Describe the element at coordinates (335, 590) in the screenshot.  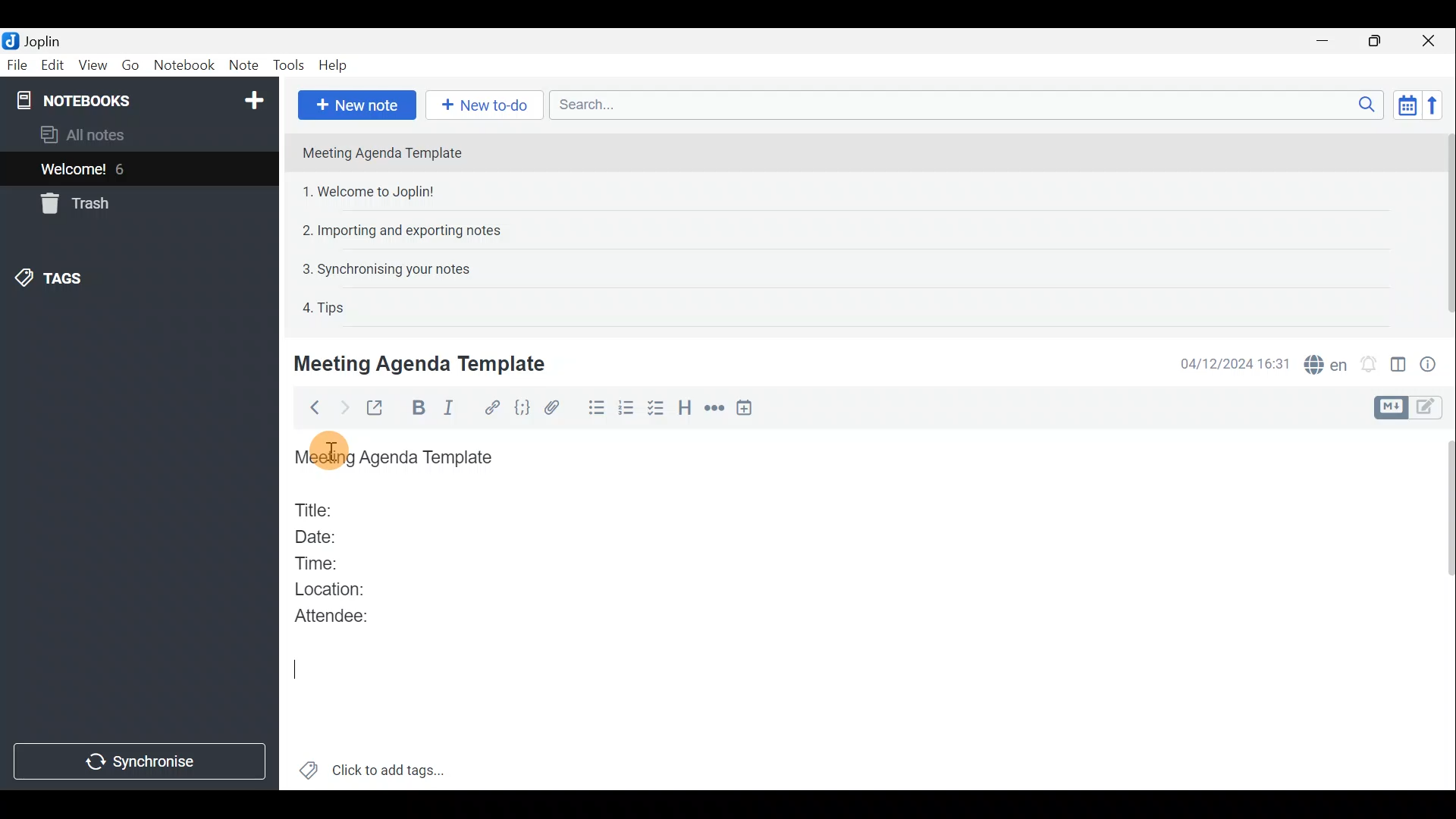
I see `Location:` at that location.